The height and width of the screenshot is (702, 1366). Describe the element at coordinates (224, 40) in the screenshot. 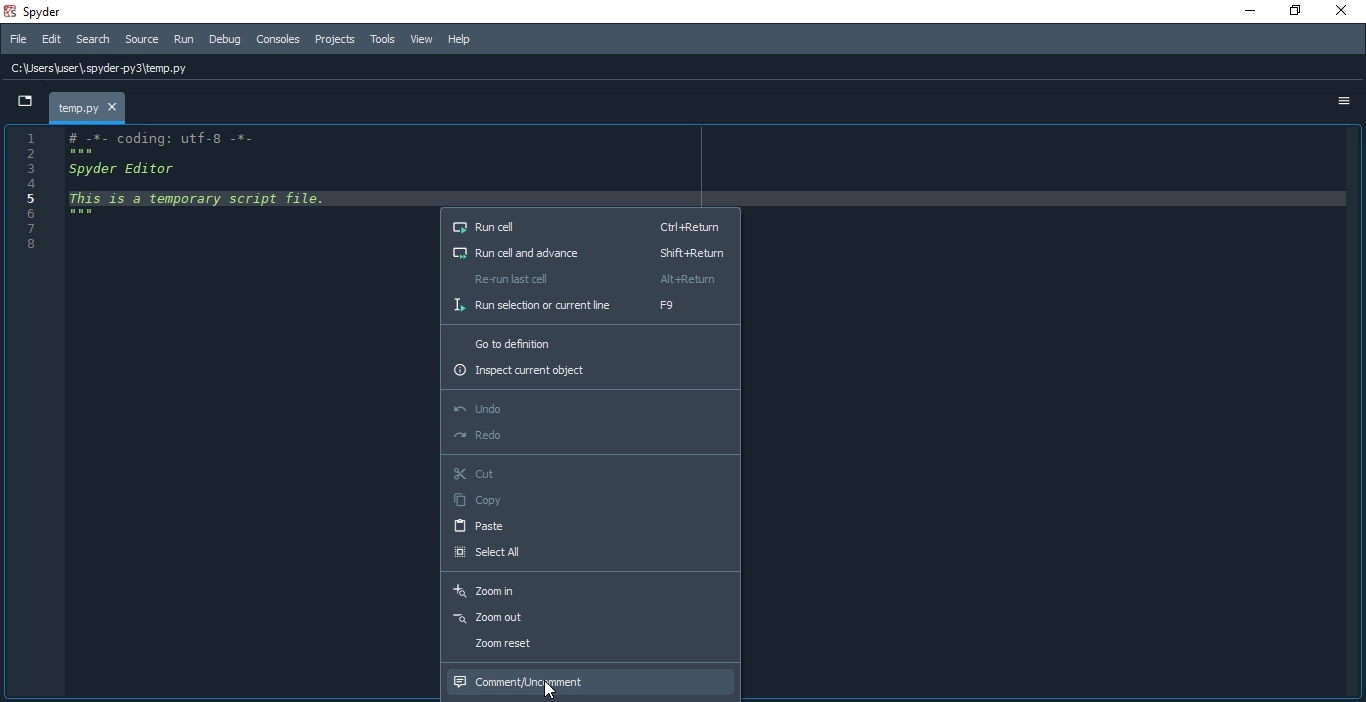

I see `Debug` at that location.